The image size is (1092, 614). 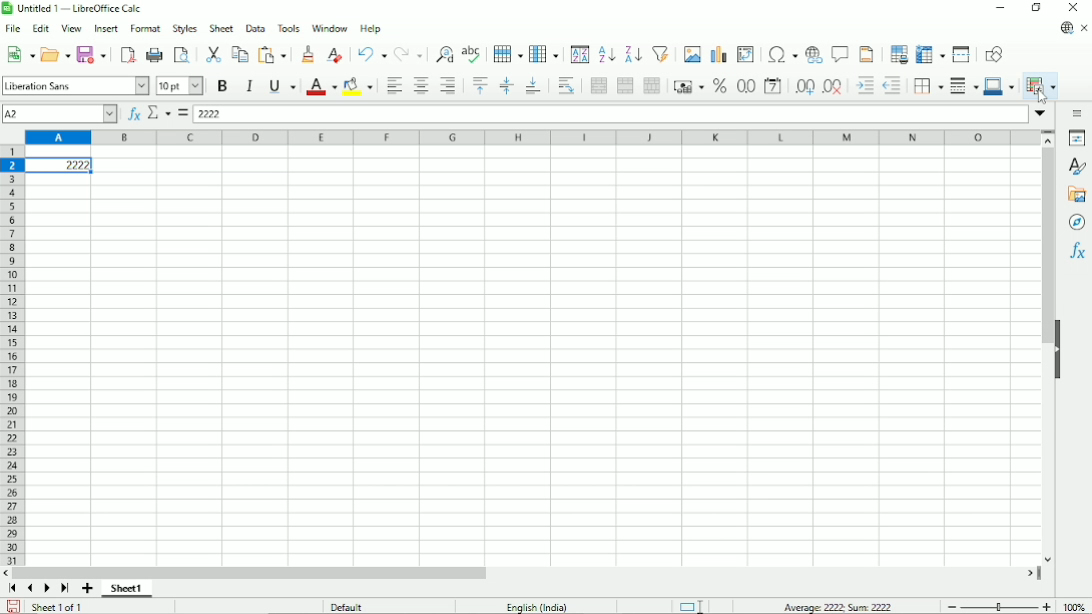 I want to click on Sidebar settings, so click(x=1079, y=113).